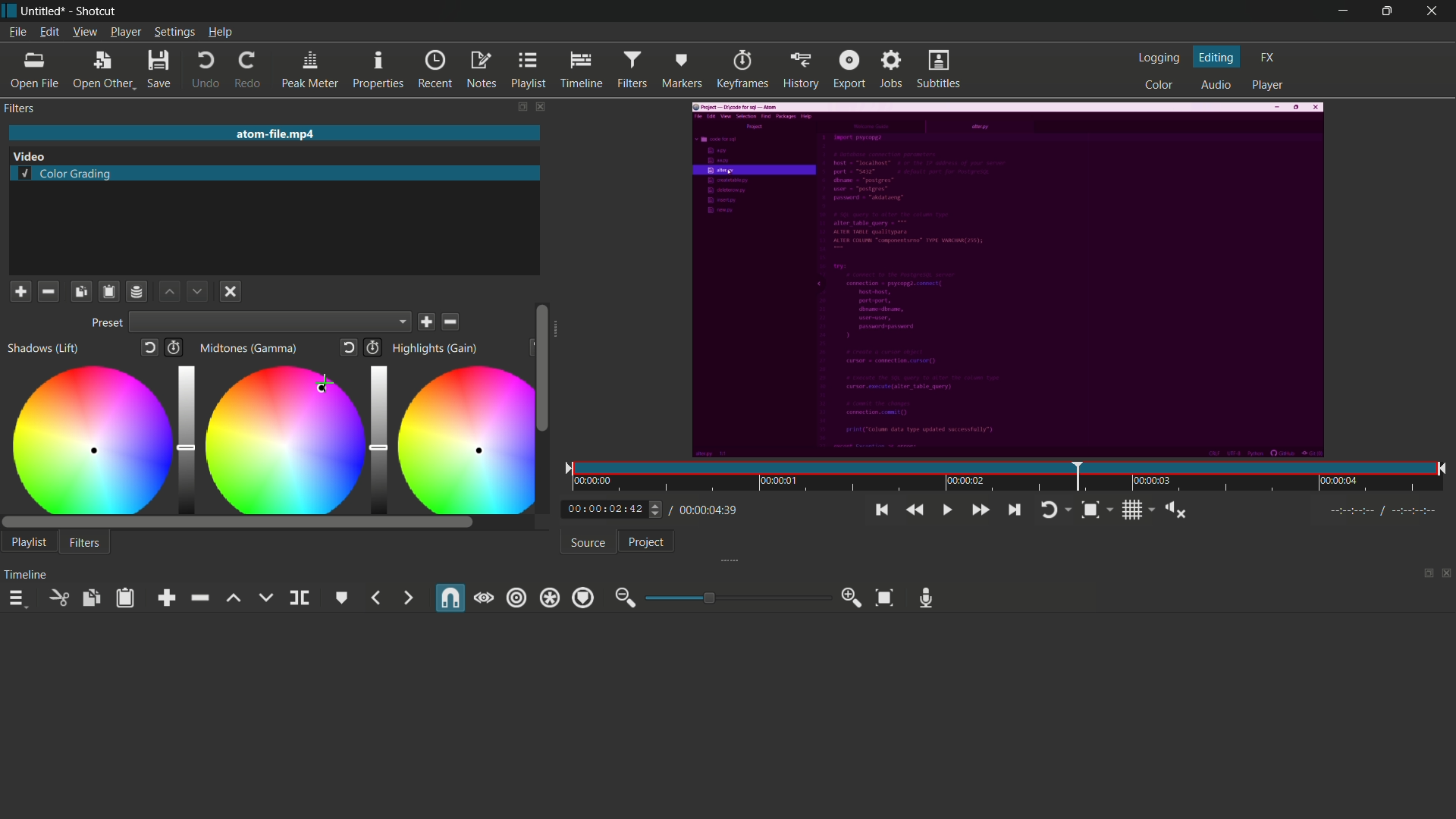  I want to click on filters, so click(19, 108).